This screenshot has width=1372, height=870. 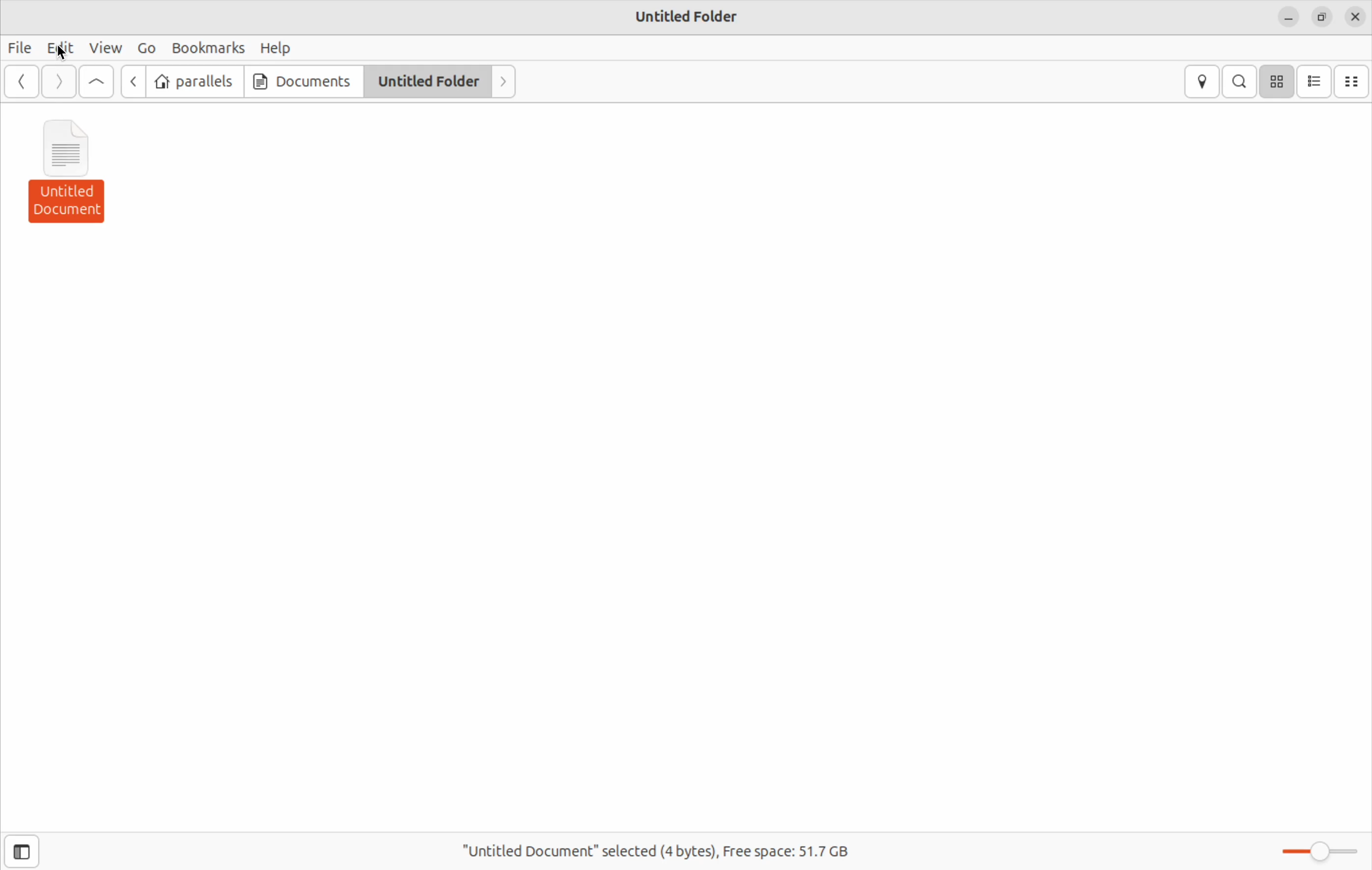 I want to click on Help, so click(x=276, y=47).